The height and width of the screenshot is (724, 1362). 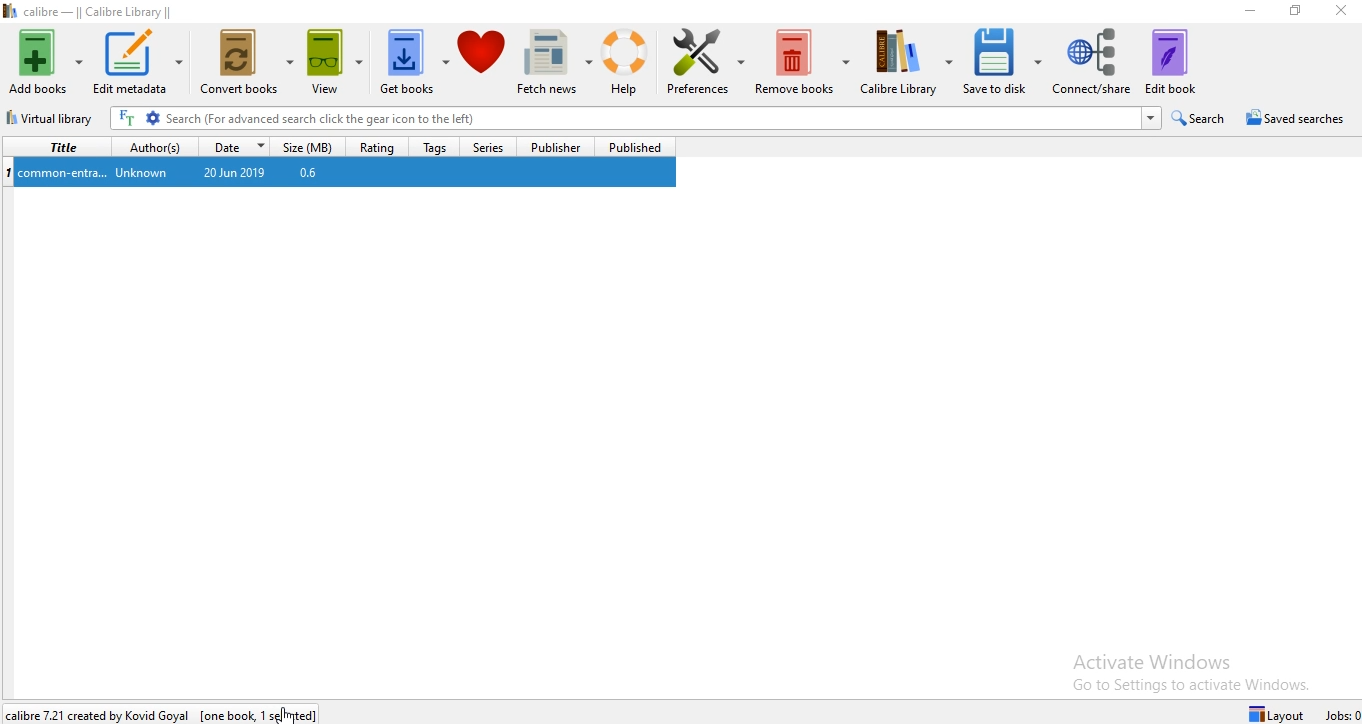 What do you see at coordinates (413, 65) in the screenshot?
I see `Get books` at bounding box center [413, 65].